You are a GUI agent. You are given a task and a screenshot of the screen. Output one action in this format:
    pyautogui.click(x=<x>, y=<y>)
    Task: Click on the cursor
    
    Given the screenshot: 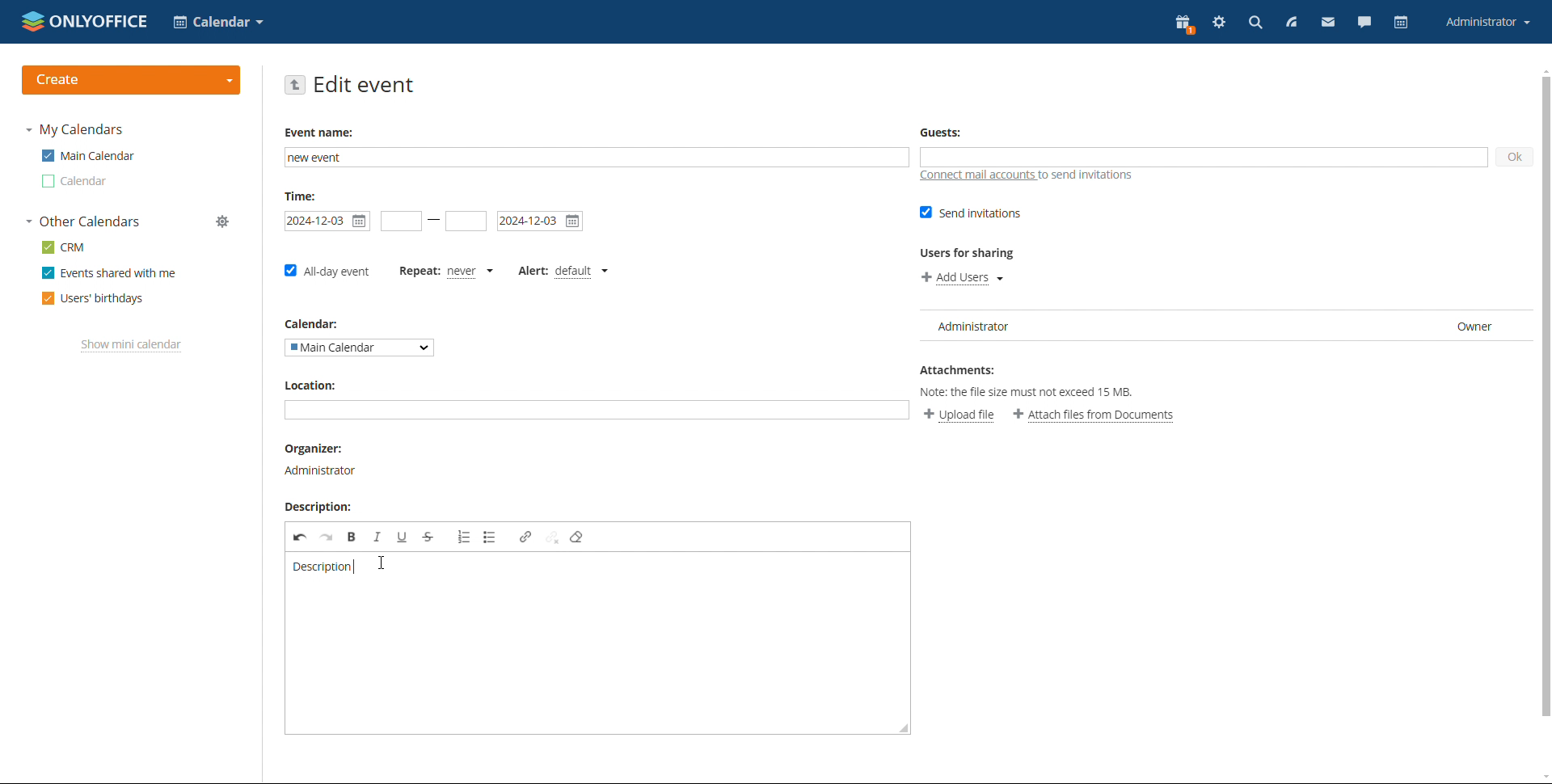 What is the action you would take?
    pyautogui.click(x=383, y=561)
    